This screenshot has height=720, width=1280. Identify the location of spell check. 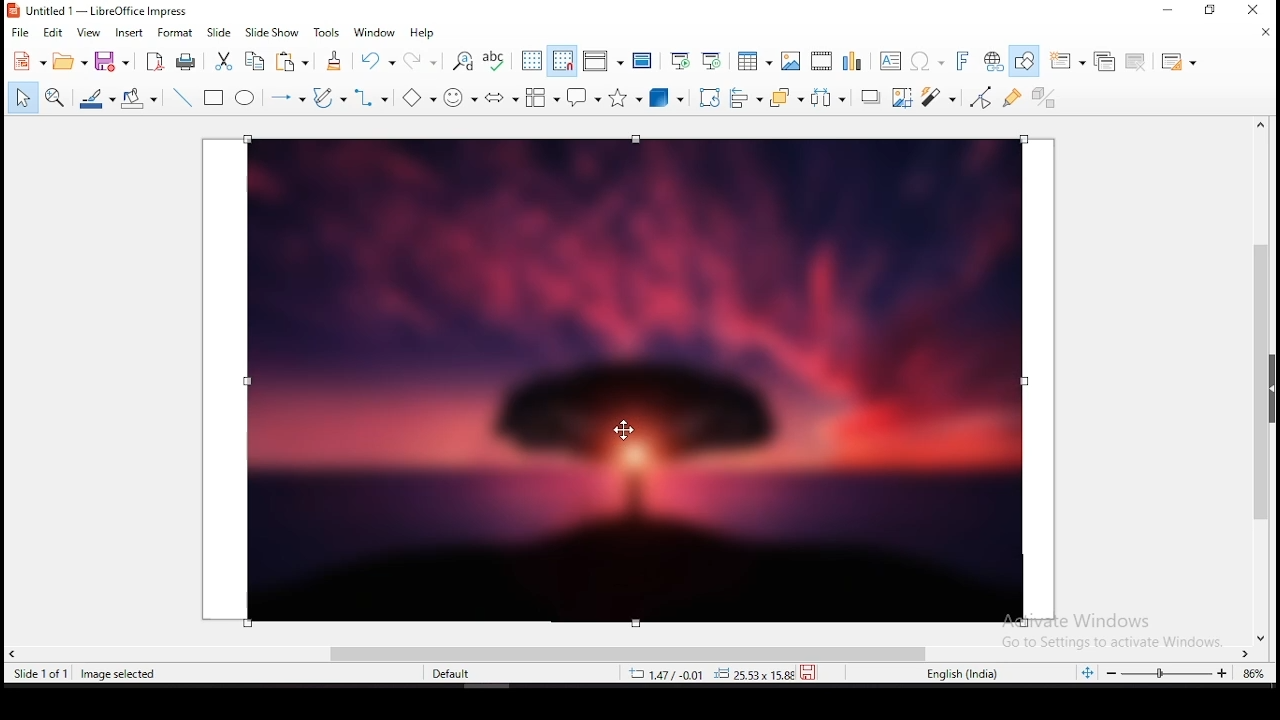
(496, 59).